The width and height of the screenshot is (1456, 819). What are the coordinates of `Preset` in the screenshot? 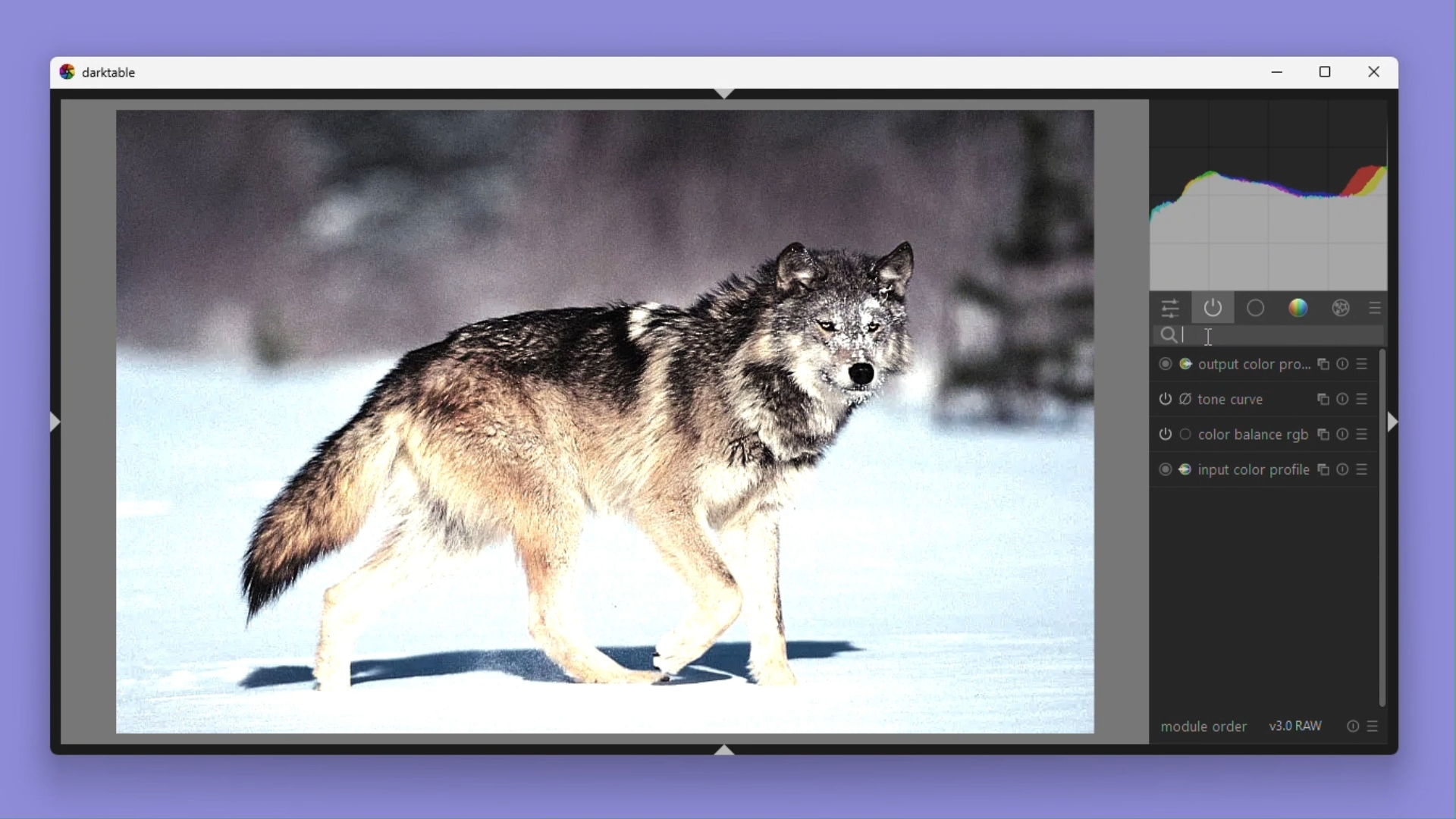 It's located at (1363, 399).